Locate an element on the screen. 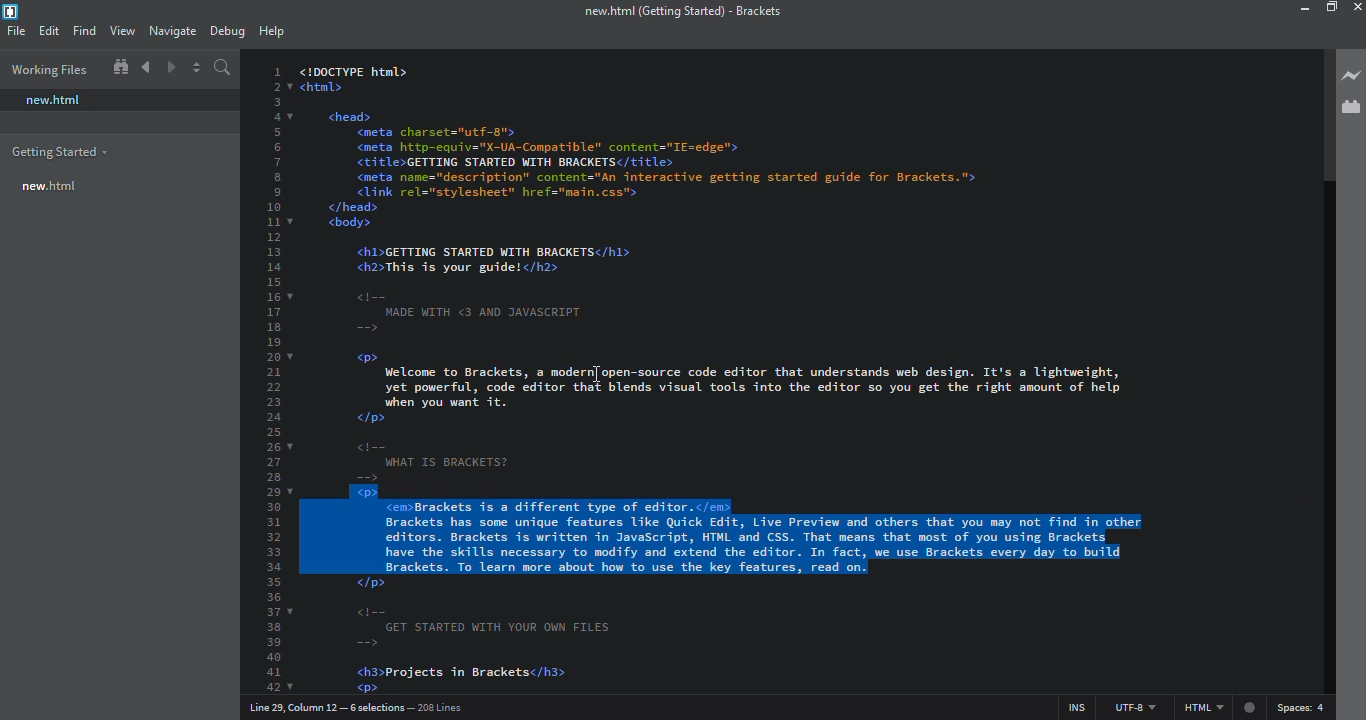  new is located at coordinates (46, 184).